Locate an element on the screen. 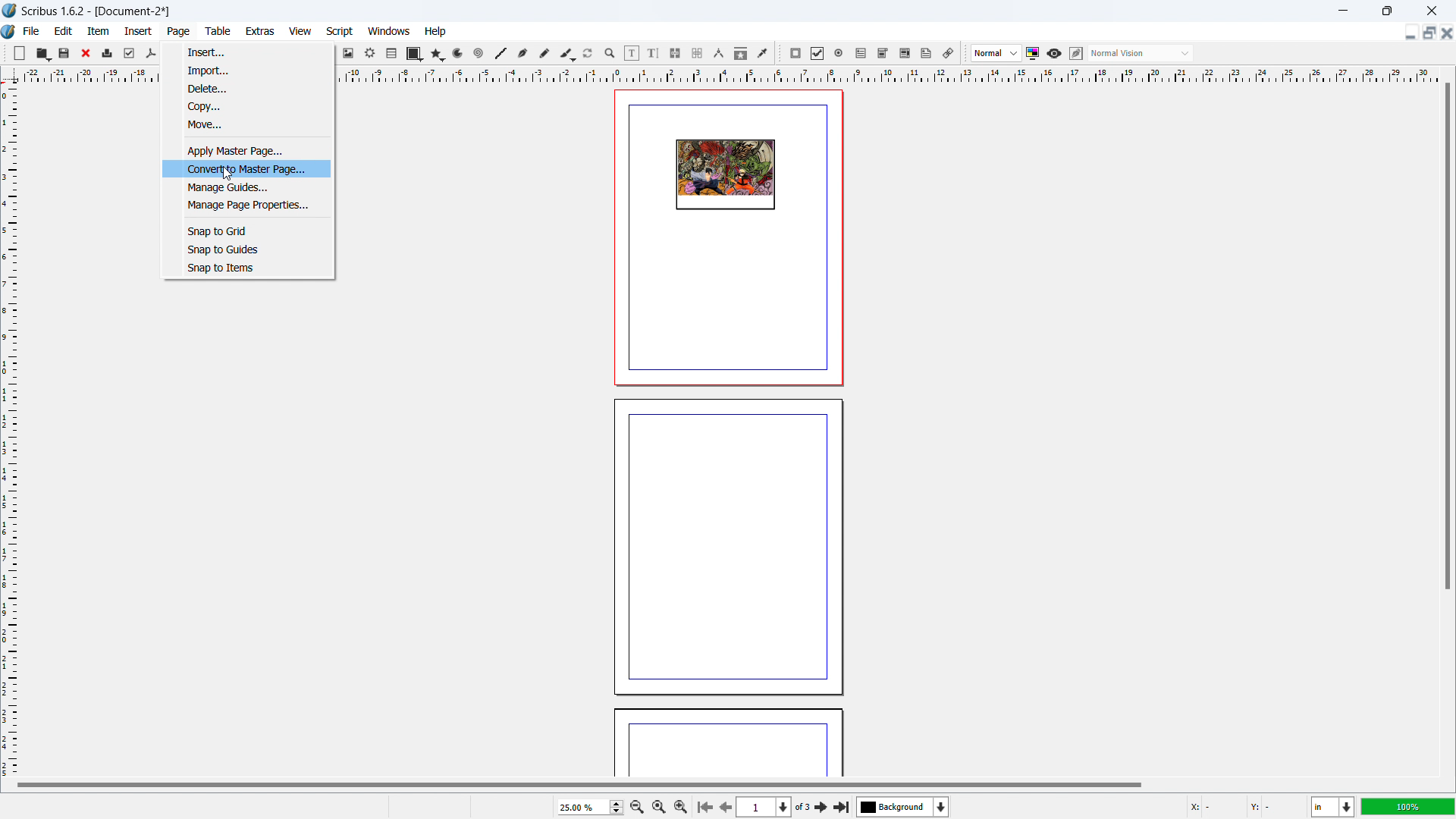 This screenshot has width=1456, height=819. zoom in/out is located at coordinates (610, 54).